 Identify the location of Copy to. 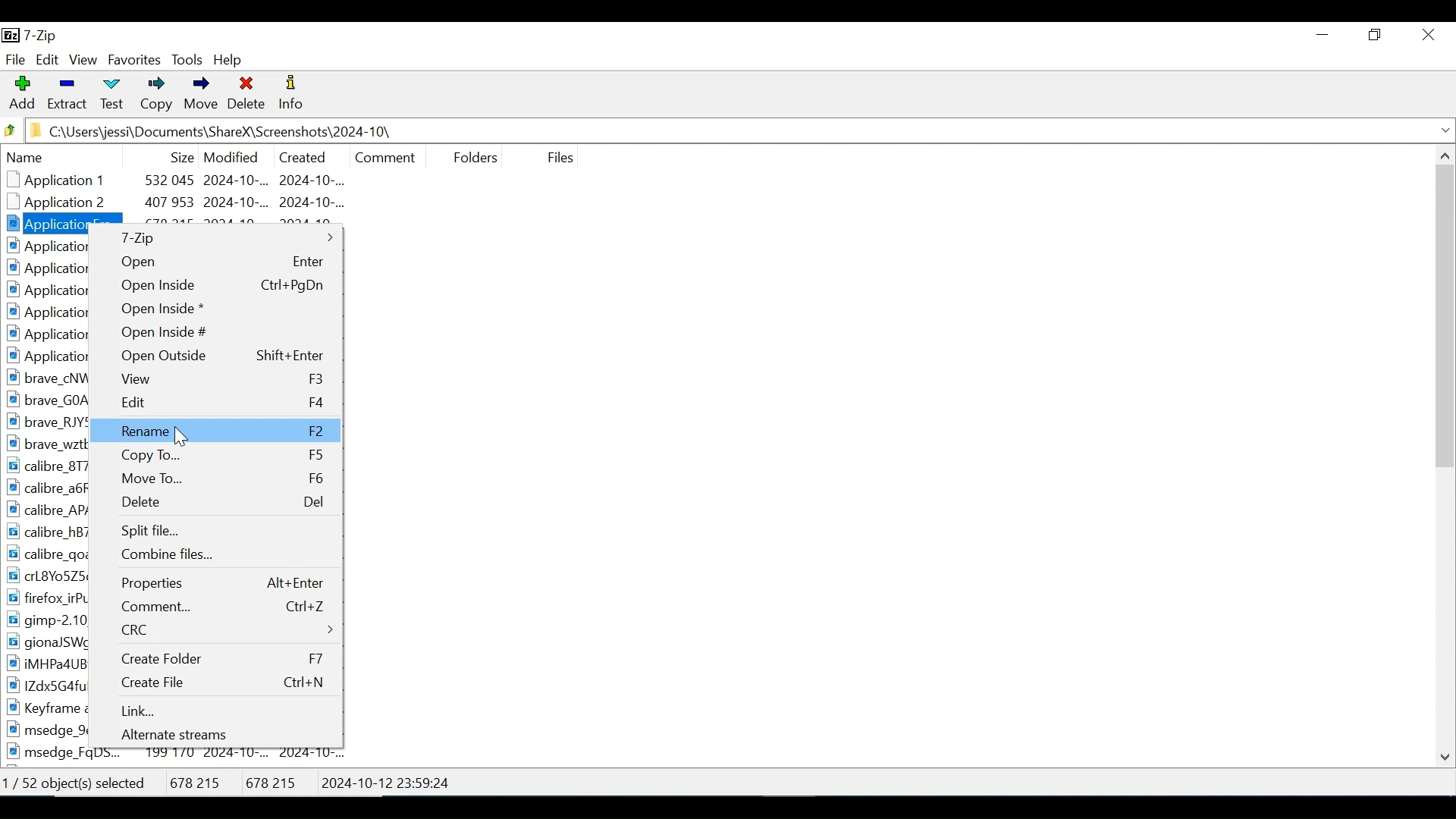
(213, 454).